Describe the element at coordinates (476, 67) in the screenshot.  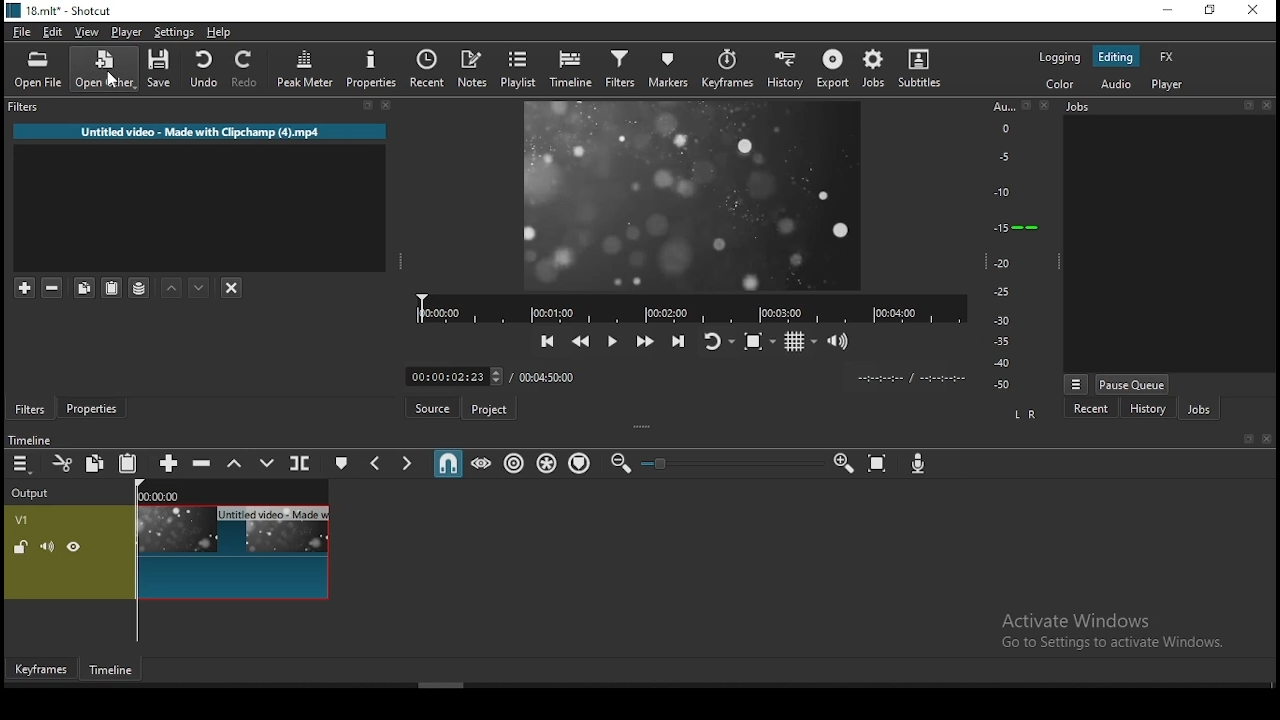
I see `notes` at that location.